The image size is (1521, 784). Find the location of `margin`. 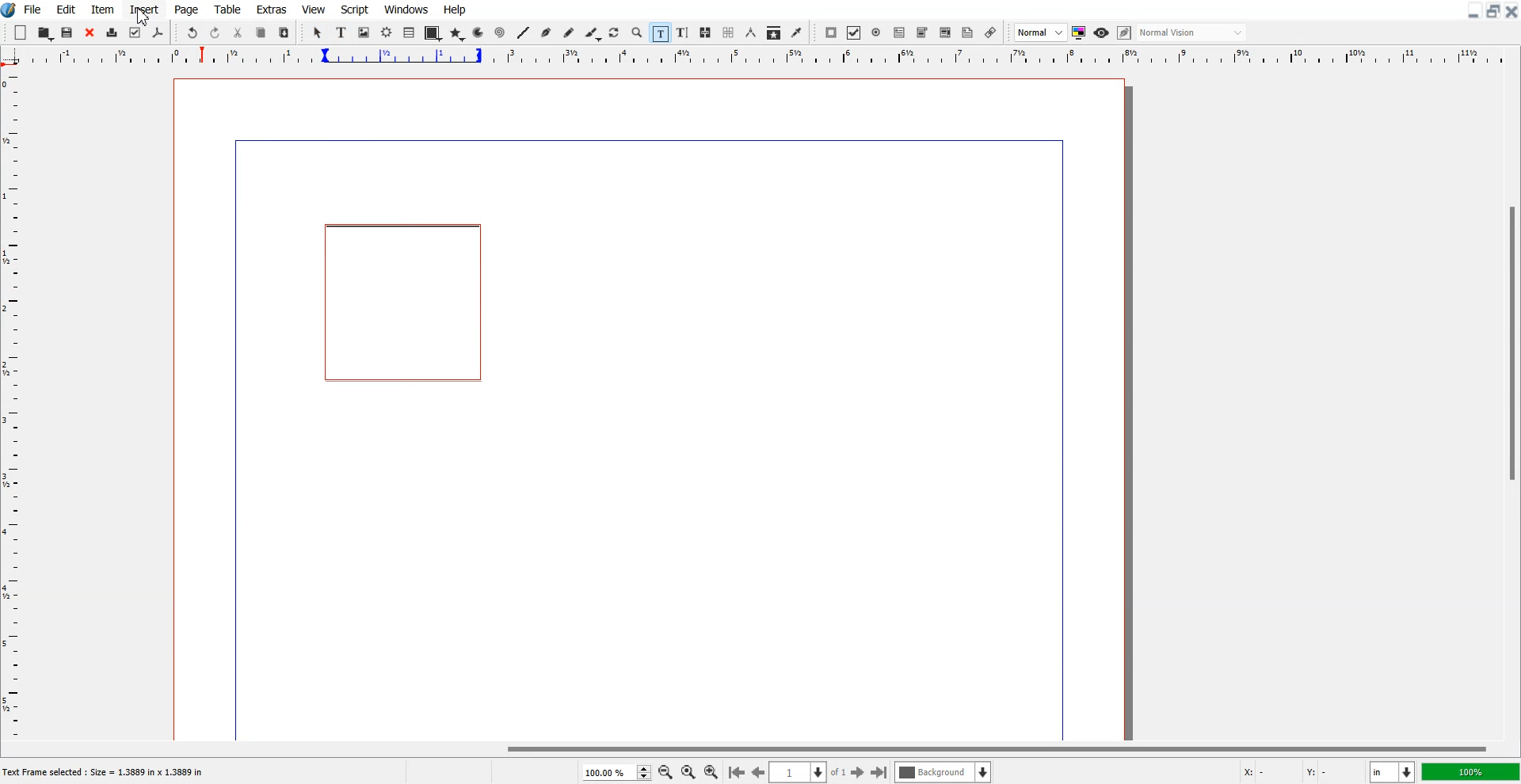

margin is located at coordinates (641, 138).